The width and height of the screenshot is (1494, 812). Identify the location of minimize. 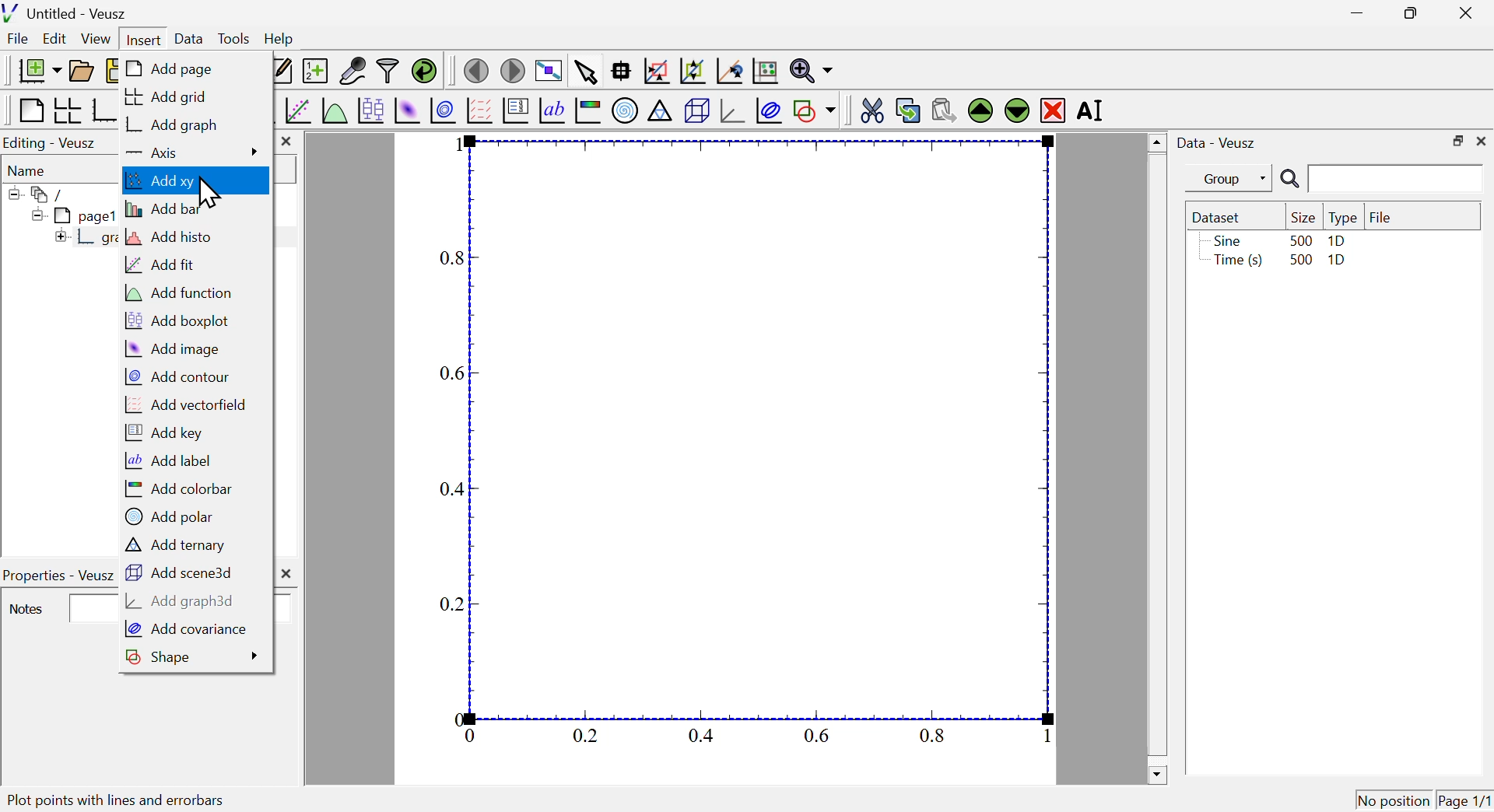
(1352, 13).